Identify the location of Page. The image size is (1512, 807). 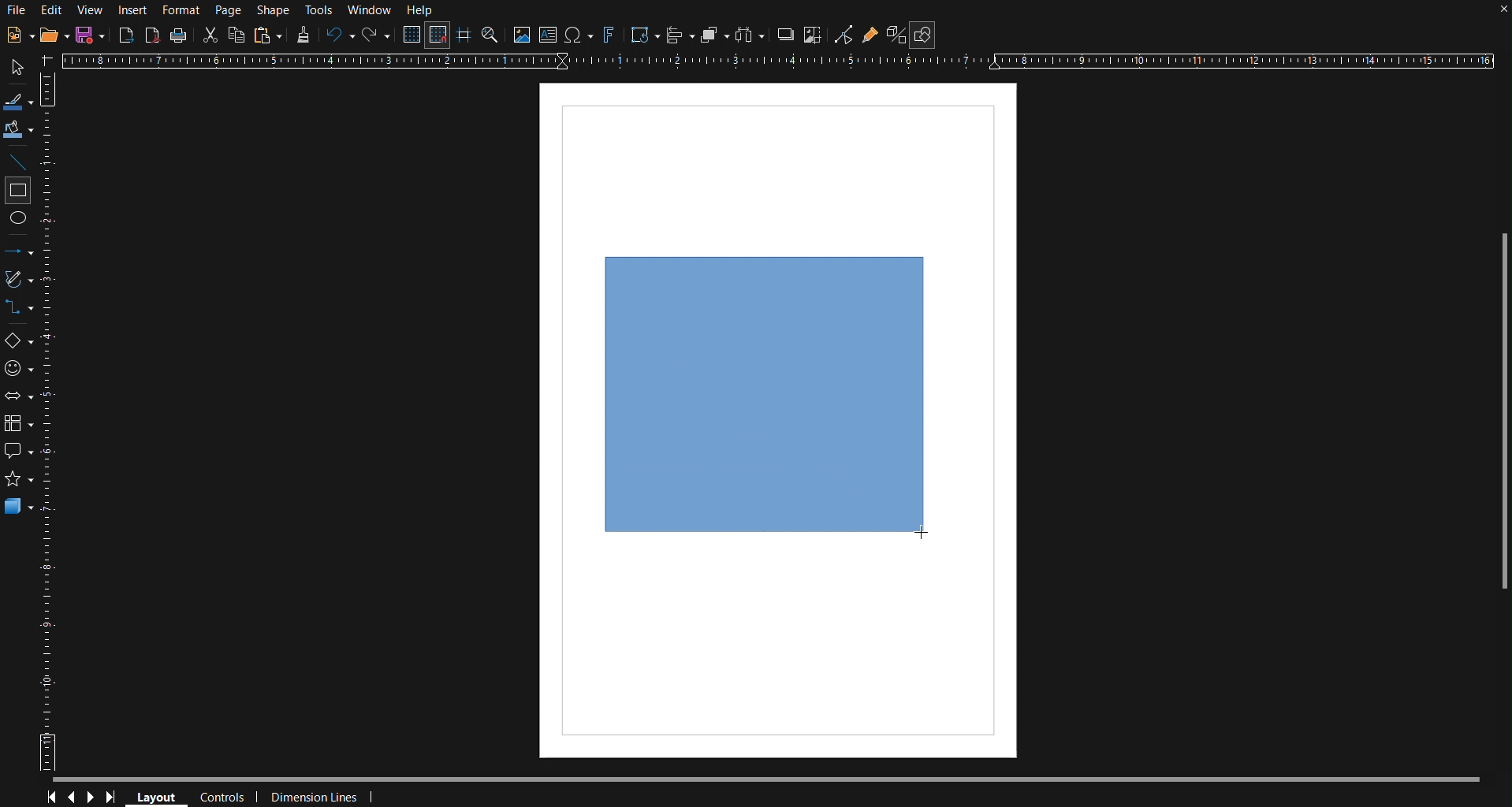
(228, 10).